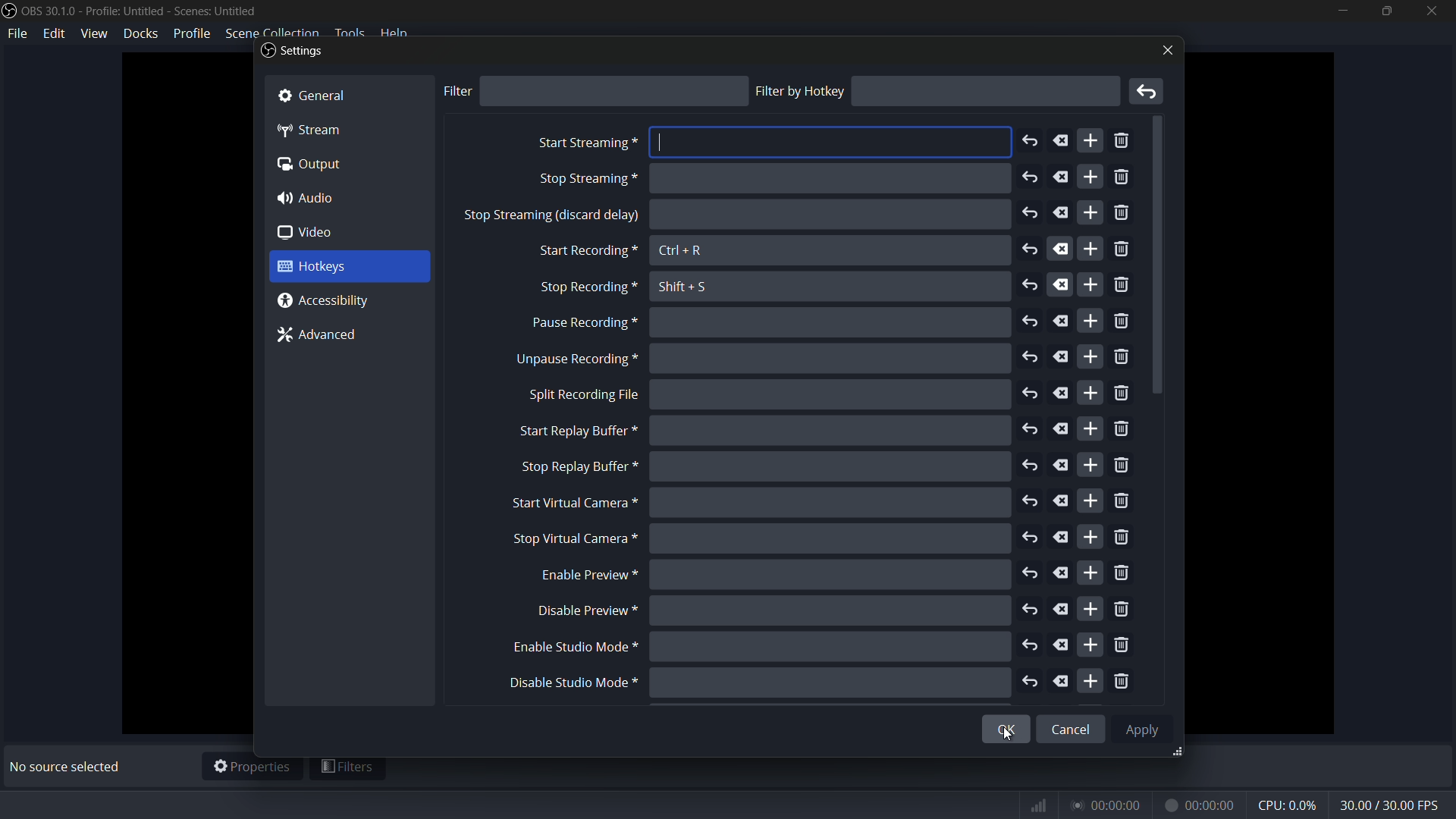 This screenshot has height=819, width=1456. I want to click on delete, so click(1062, 394).